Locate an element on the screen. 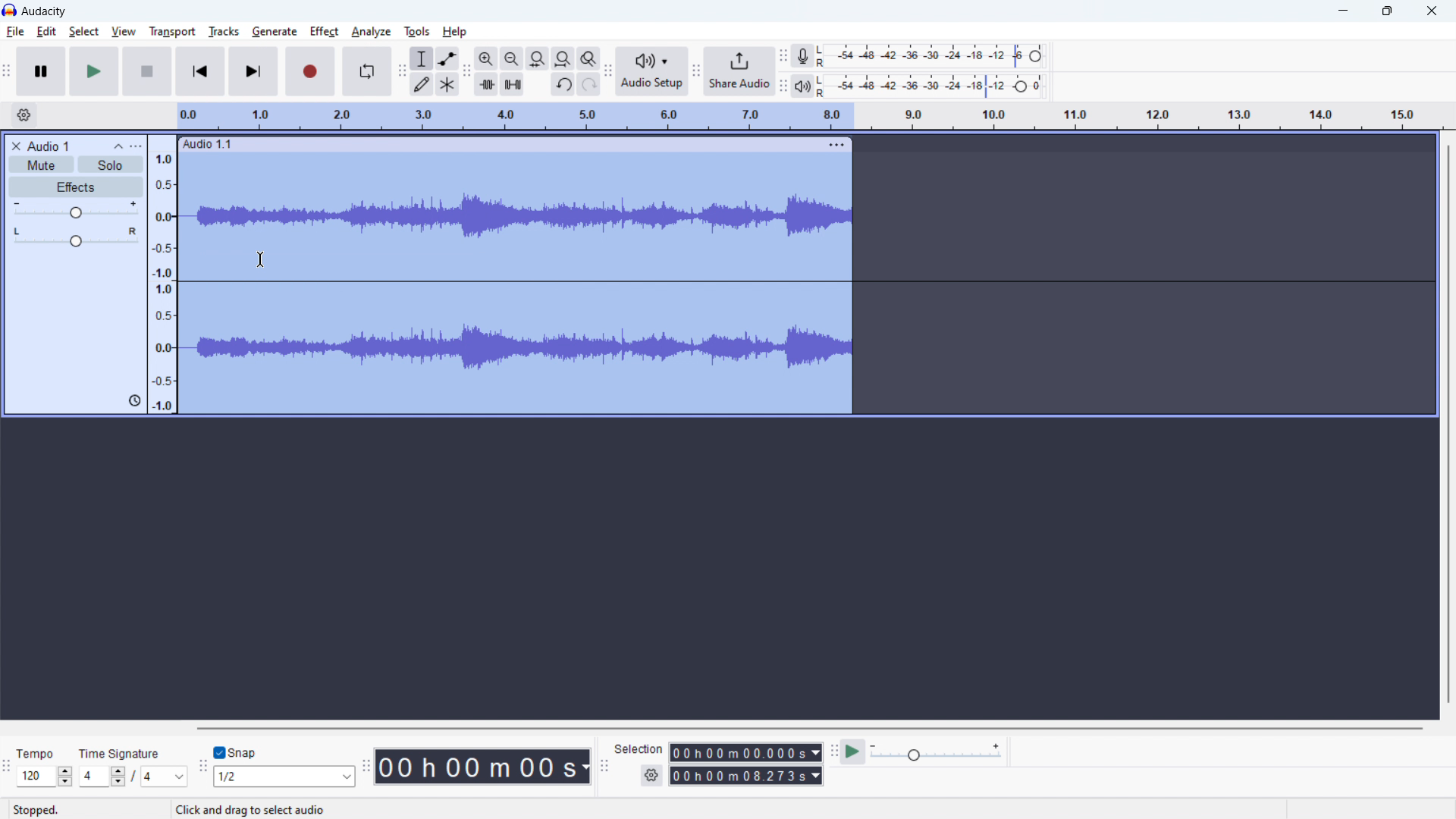  fir project to width is located at coordinates (563, 58).